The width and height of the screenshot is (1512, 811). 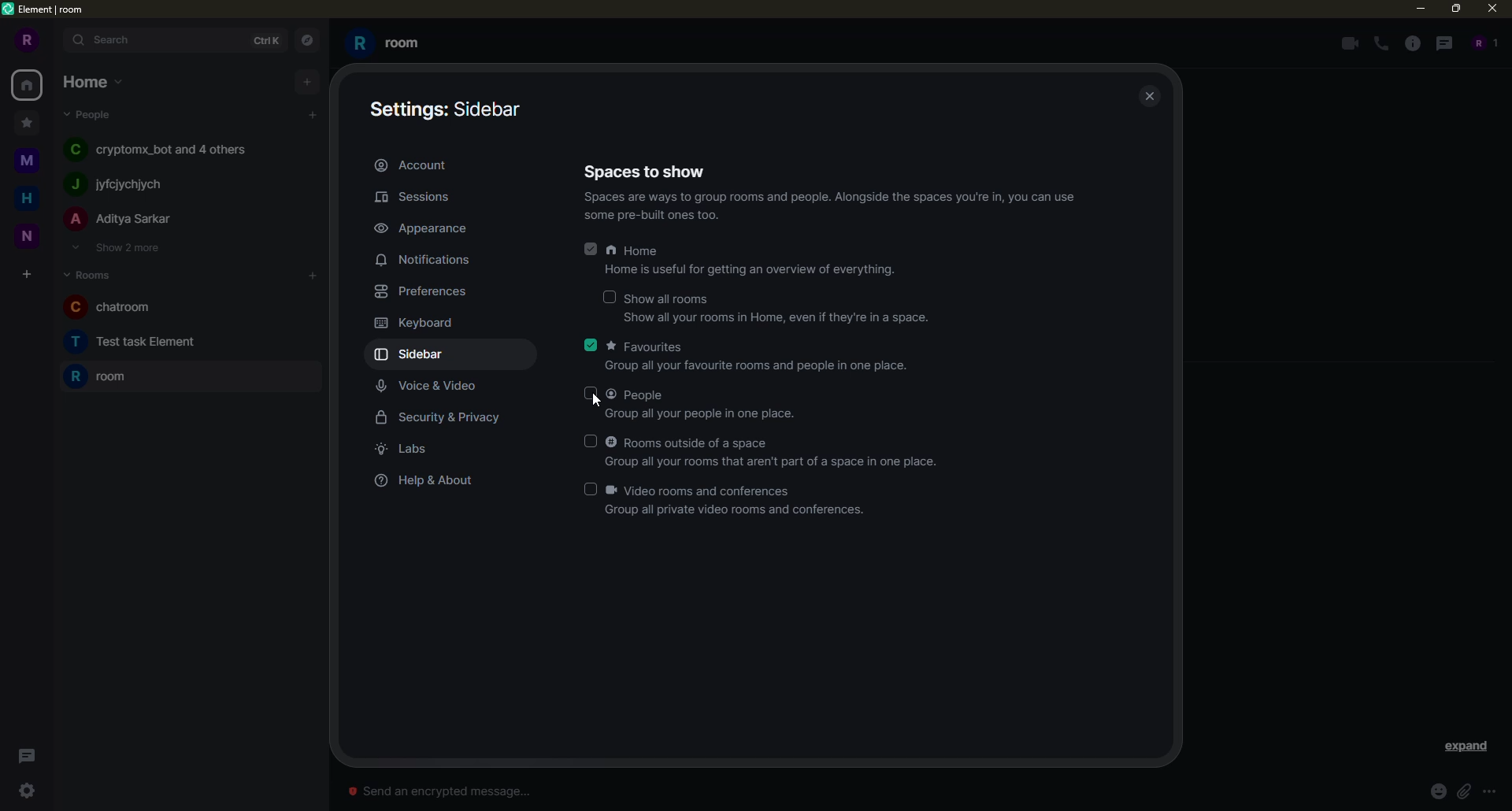 I want to click on Spaces are ways to group rooms and people. Alongside the spaces you're in, you can use
‘some pre-built ones too., so click(x=823, y=210).